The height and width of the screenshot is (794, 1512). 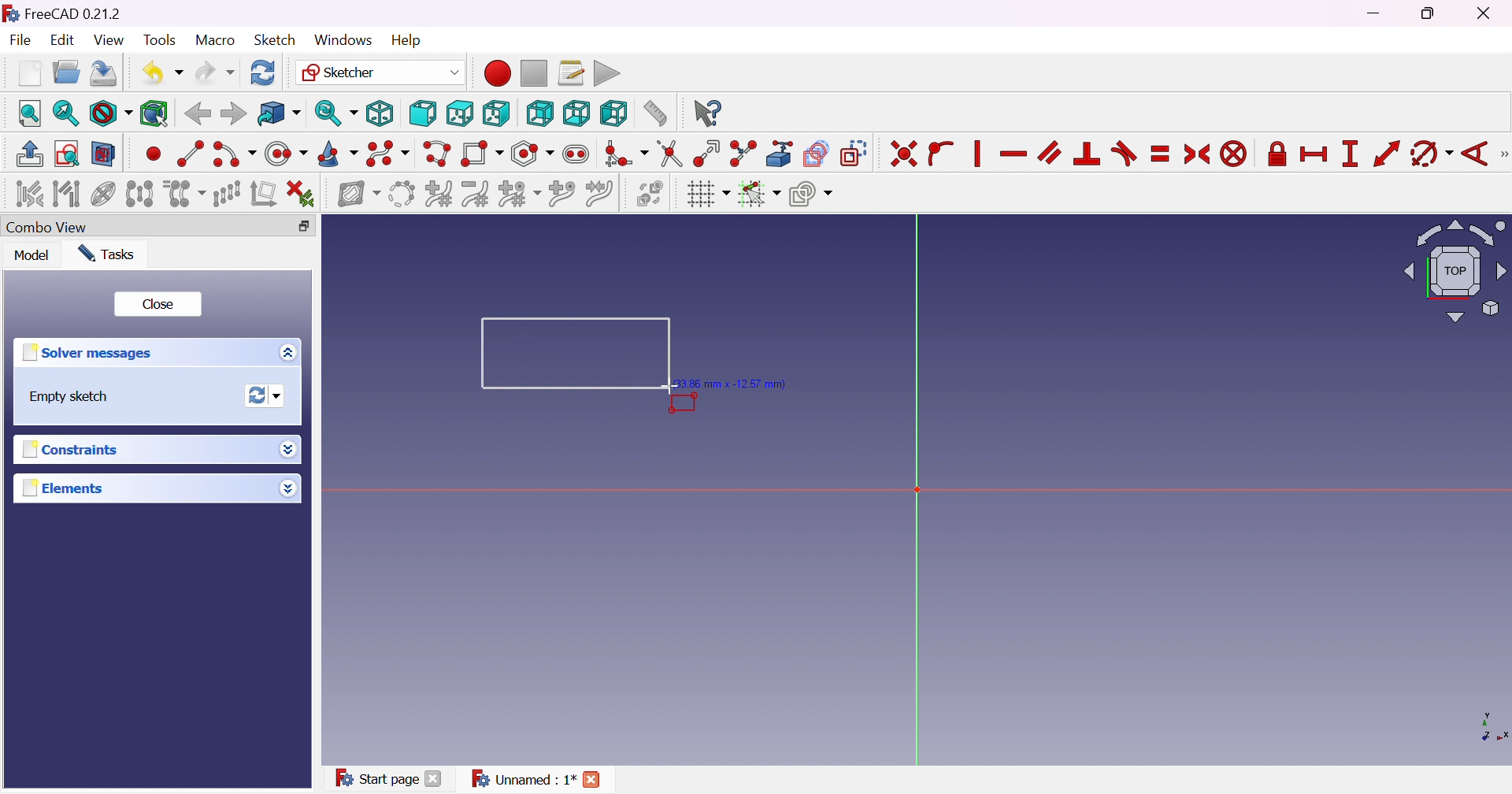 What do you see at coordinates (109, 113) in the screenshot?
I see `Fit style` at bounding box center [109, 113].